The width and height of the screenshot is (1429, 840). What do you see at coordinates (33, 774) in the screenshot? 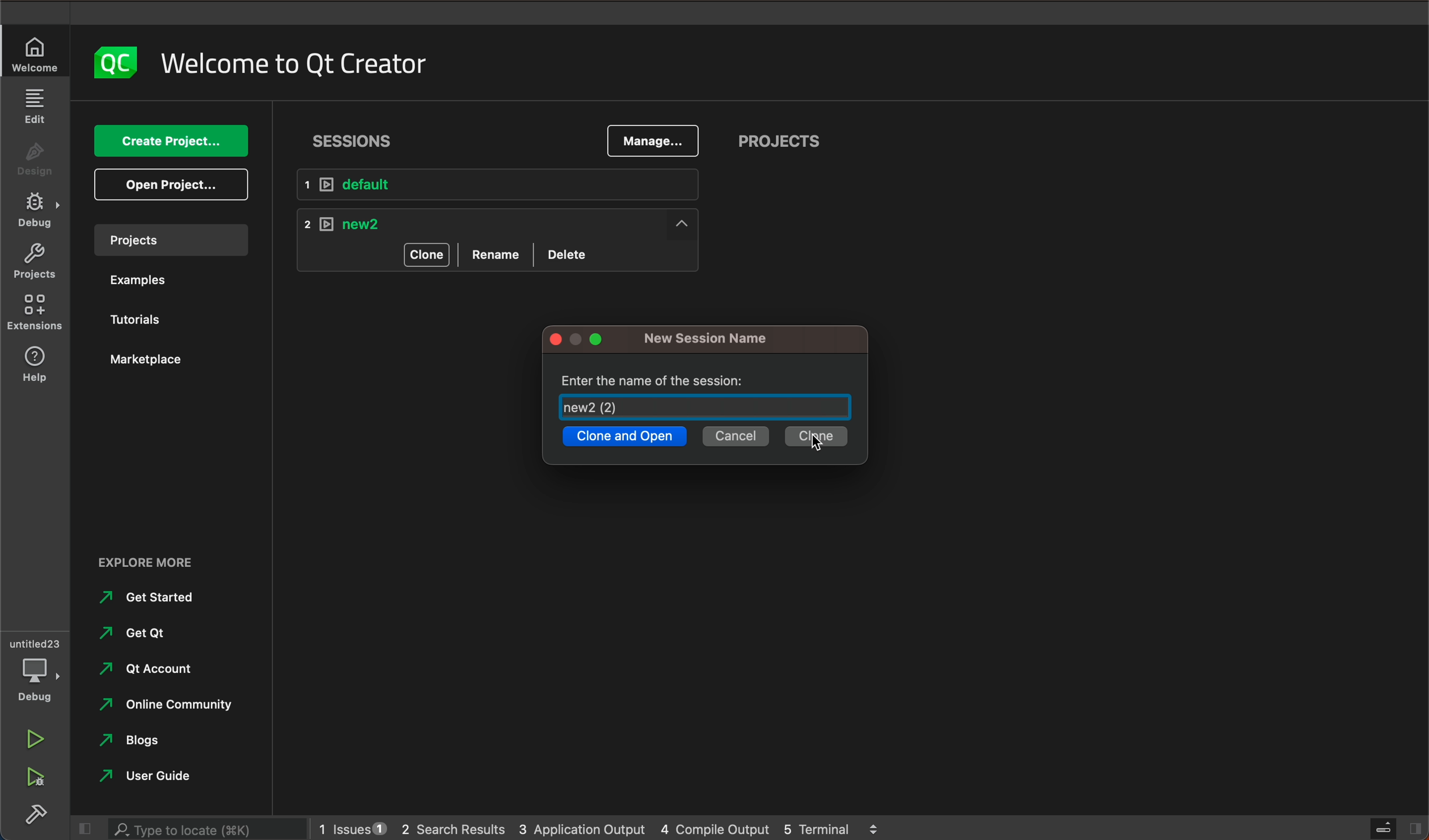
I see `run debug` at bounding box center [33, 774].